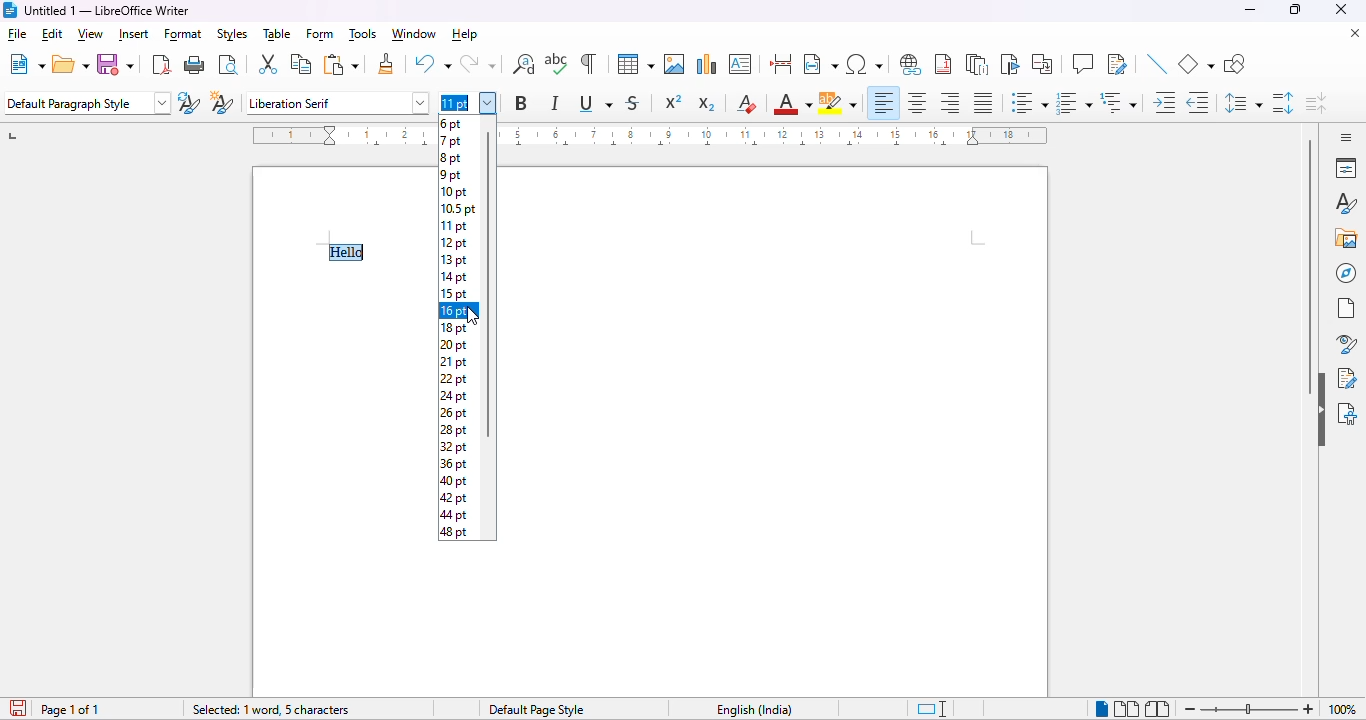 The height and width of the screenshot is (720, 1366). I want to click on insert image, so click(674, 64).